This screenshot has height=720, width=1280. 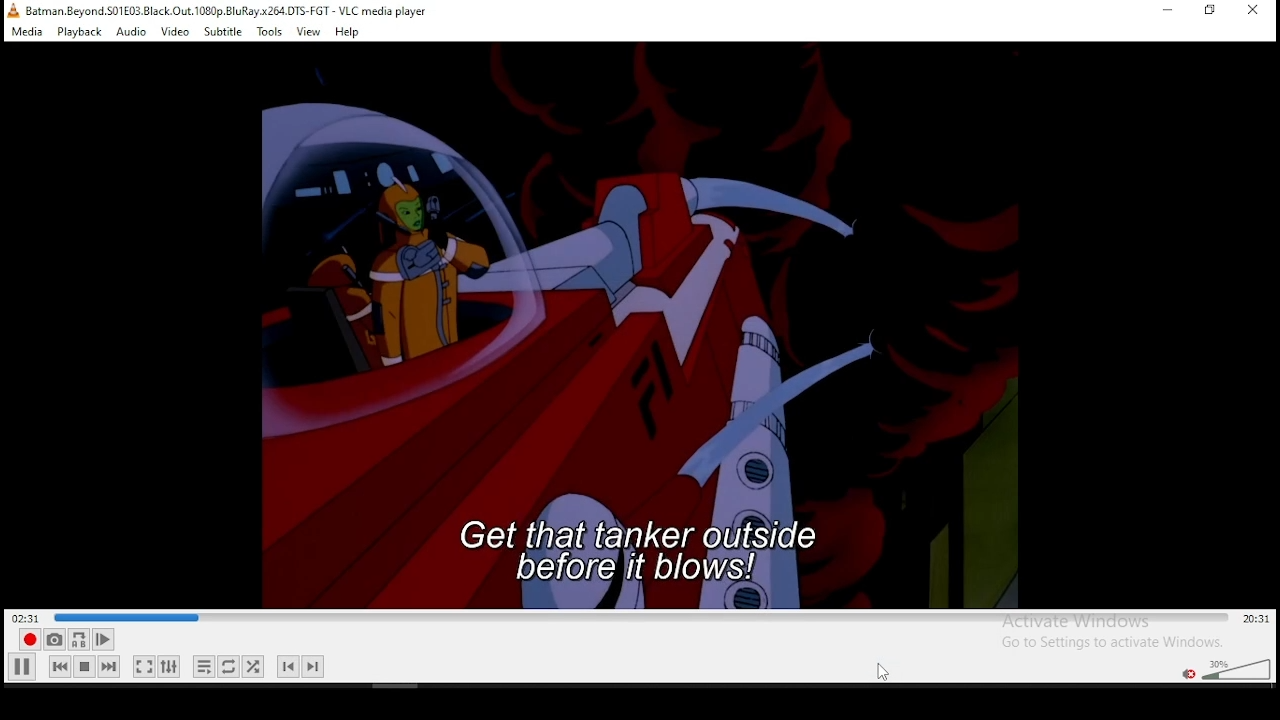 I want to click on seek bar, so click(x=643, y=618).